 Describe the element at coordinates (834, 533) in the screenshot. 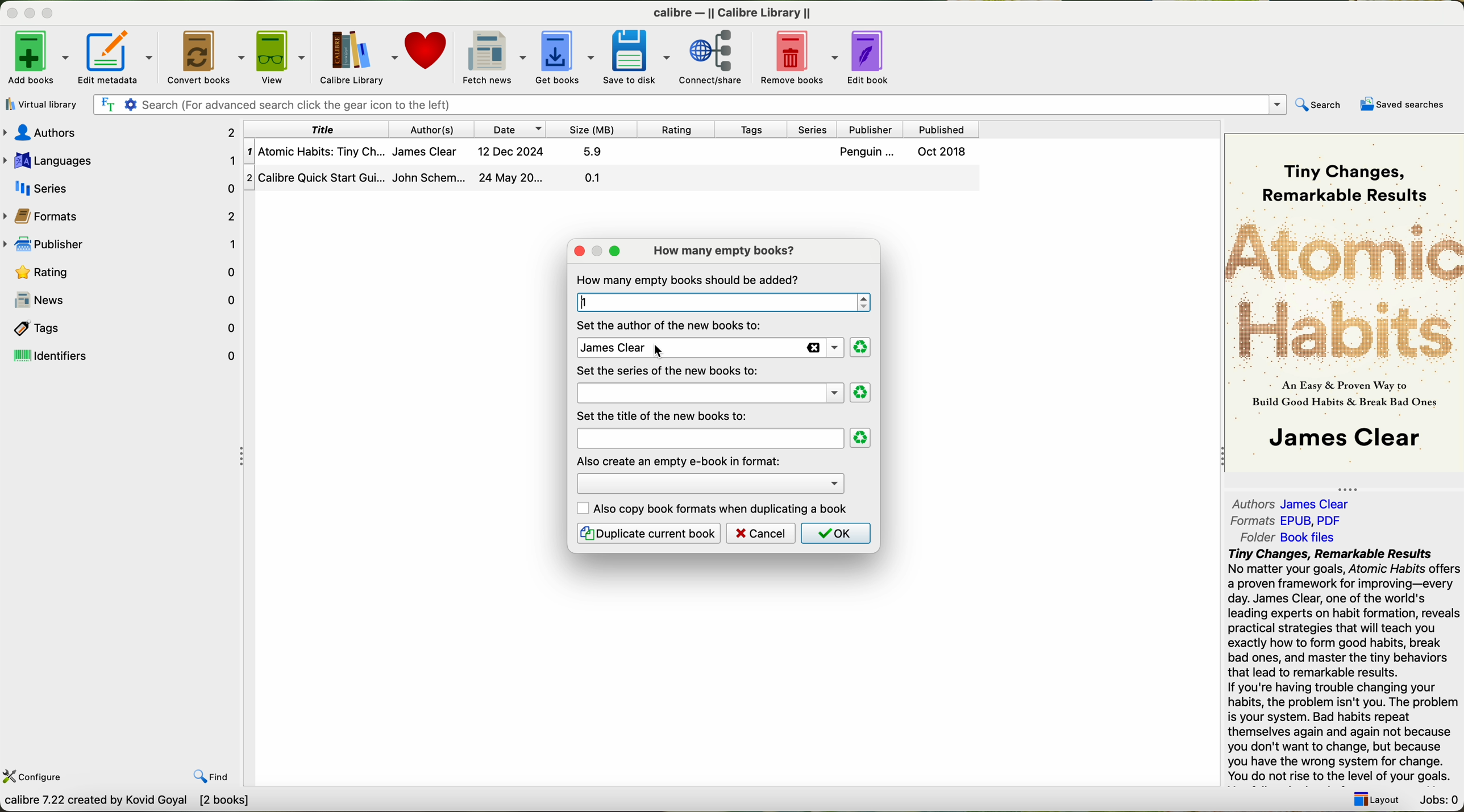

I see `OK button` at that location.